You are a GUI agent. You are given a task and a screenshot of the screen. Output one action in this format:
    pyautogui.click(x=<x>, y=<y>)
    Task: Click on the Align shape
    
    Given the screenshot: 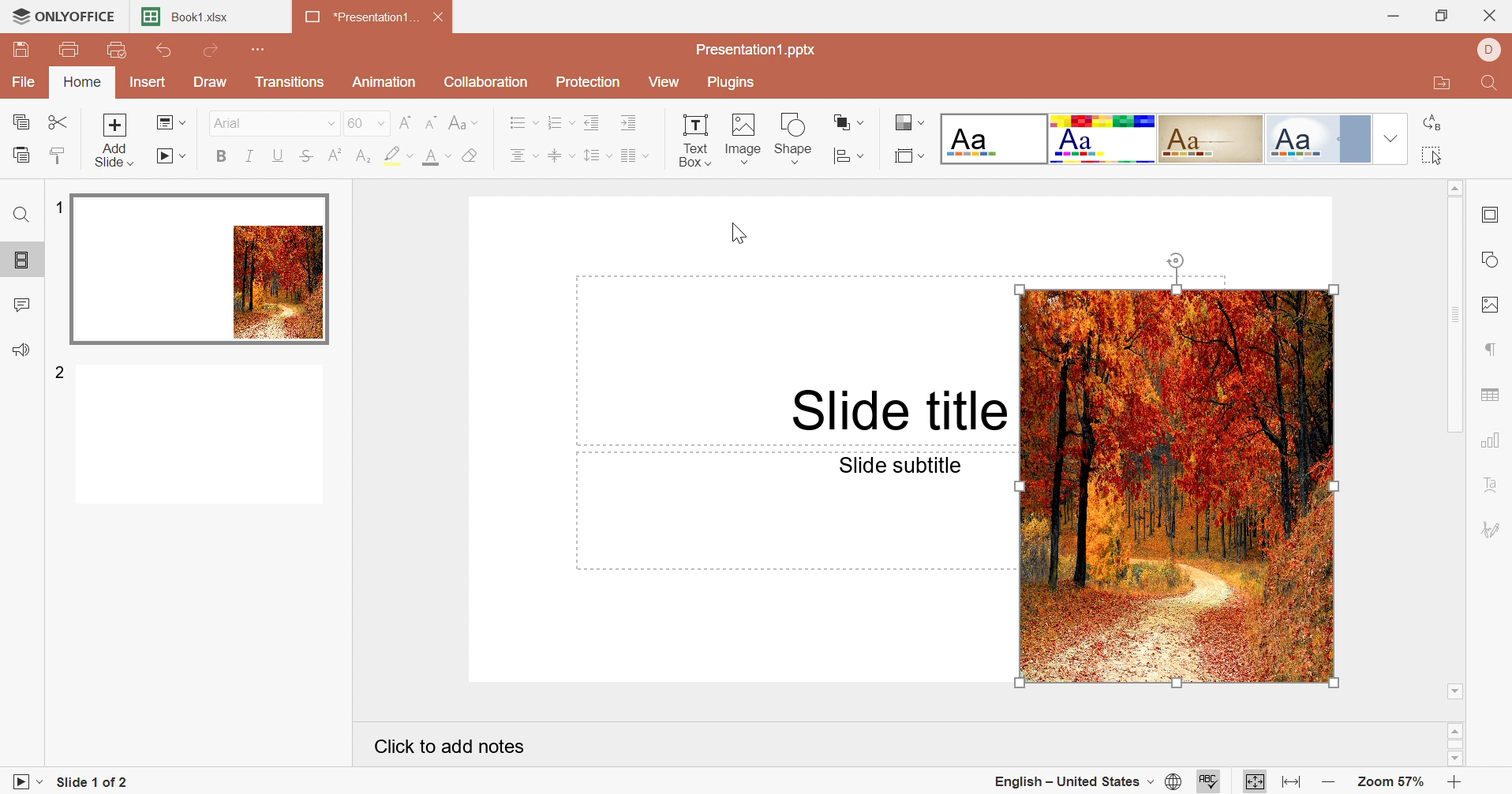 What is the action you would take?
    pyautogui.click(x=846, y=157)
    